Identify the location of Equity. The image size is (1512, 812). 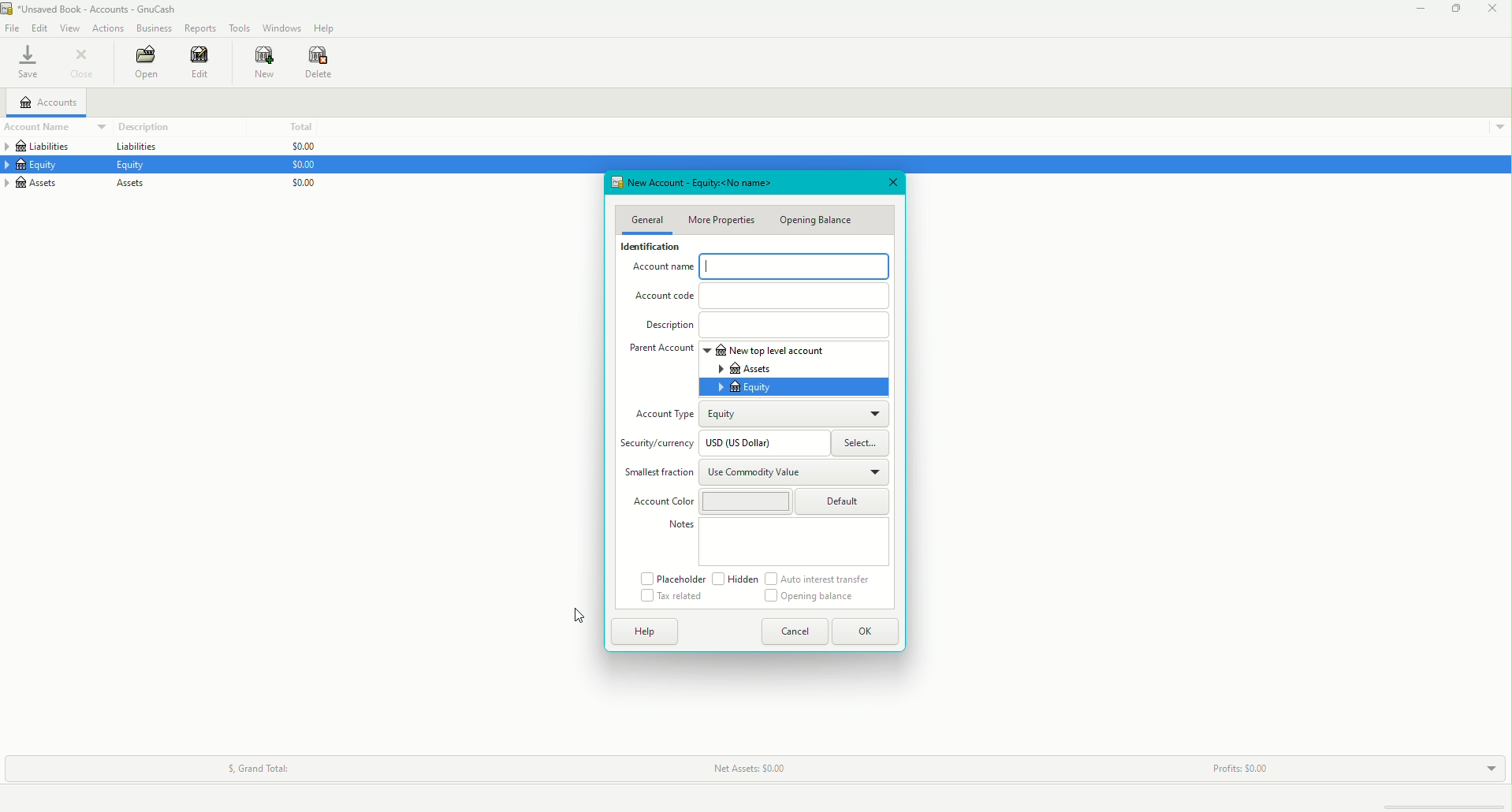
(798, 415).